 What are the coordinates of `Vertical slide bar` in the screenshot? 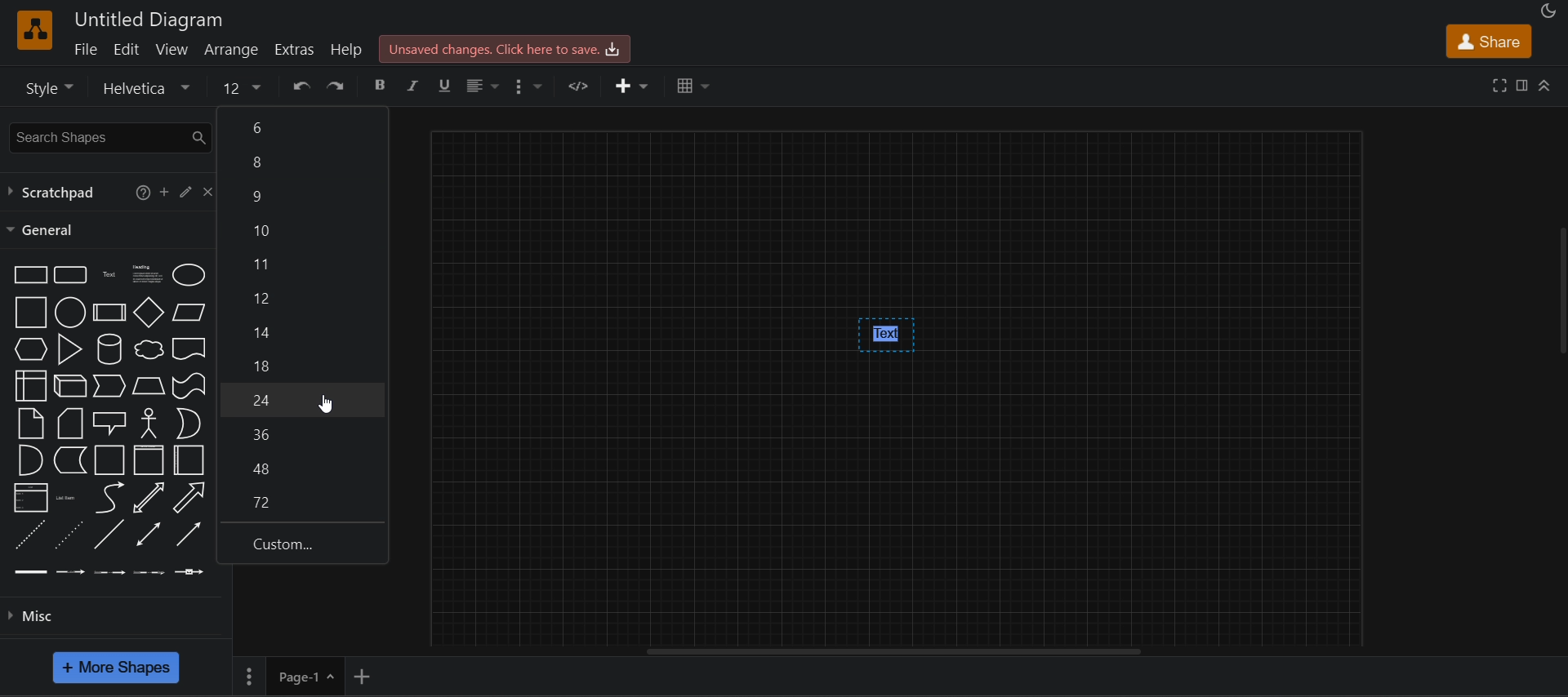 It's located at (1562, 291).